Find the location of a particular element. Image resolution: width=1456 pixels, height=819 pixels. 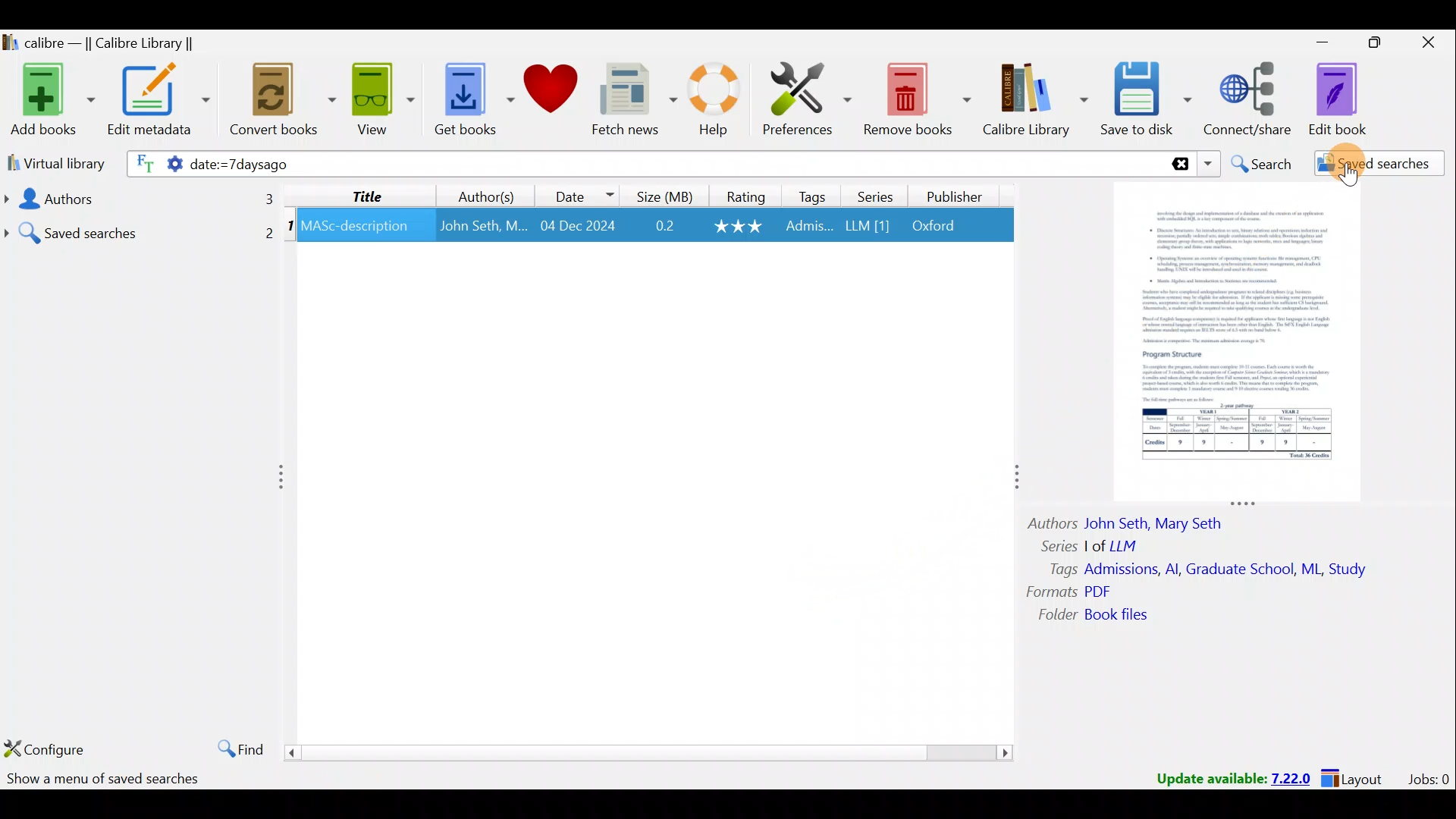

Configure is located at coordinates (45, 748).